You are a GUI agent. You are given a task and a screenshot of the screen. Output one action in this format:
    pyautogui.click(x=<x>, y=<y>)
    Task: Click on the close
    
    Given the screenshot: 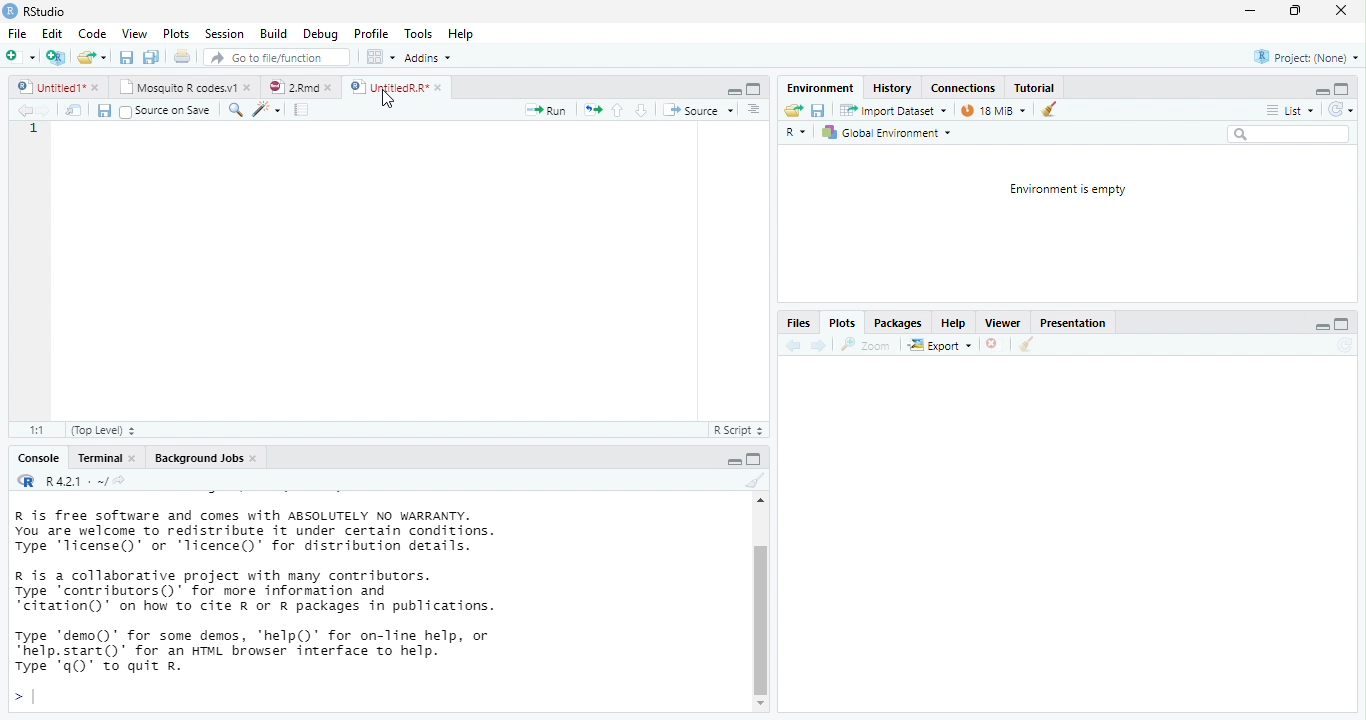 What is the action you would take?
    pyautogui.click(x=1340, y=11)
    